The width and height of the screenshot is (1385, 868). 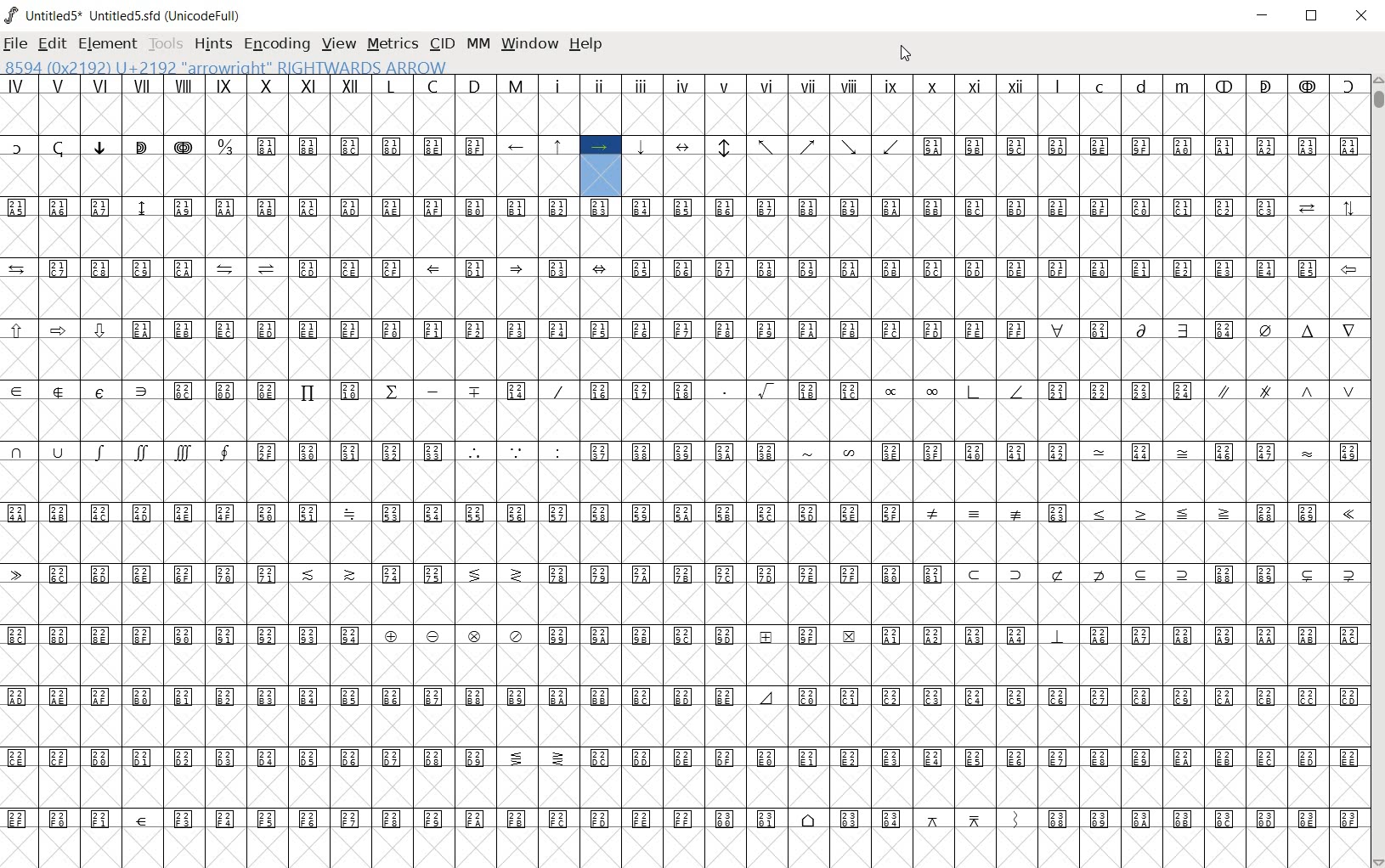 What do you see at coordinates (1263, 16) in the screenshot?
I see `MINIMIZE` at bounding box center [1263, 16].